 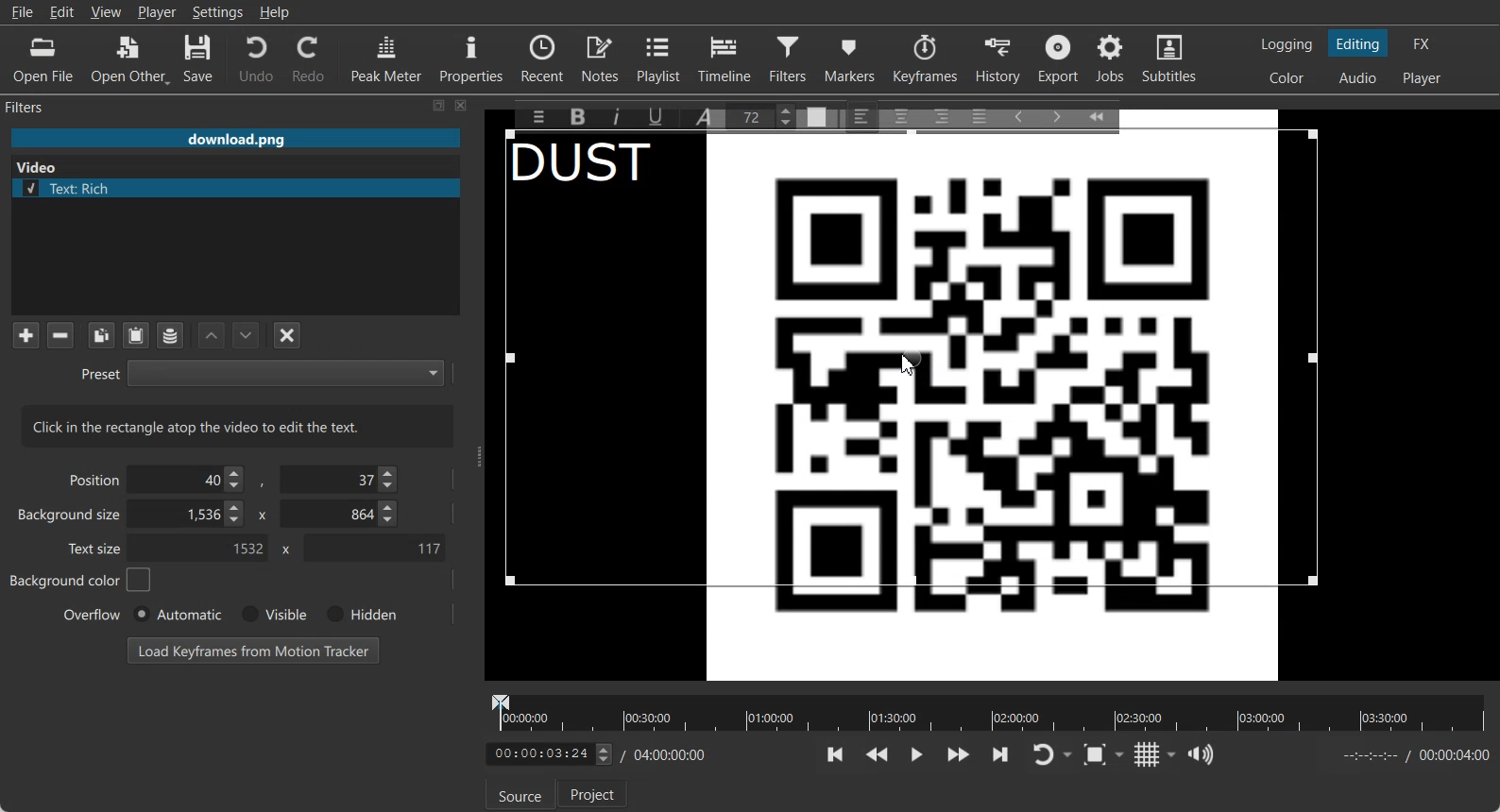 What do you see at coordinates (22, 12) in the screenshot?
I see `File` at bounding box center [22, 12].